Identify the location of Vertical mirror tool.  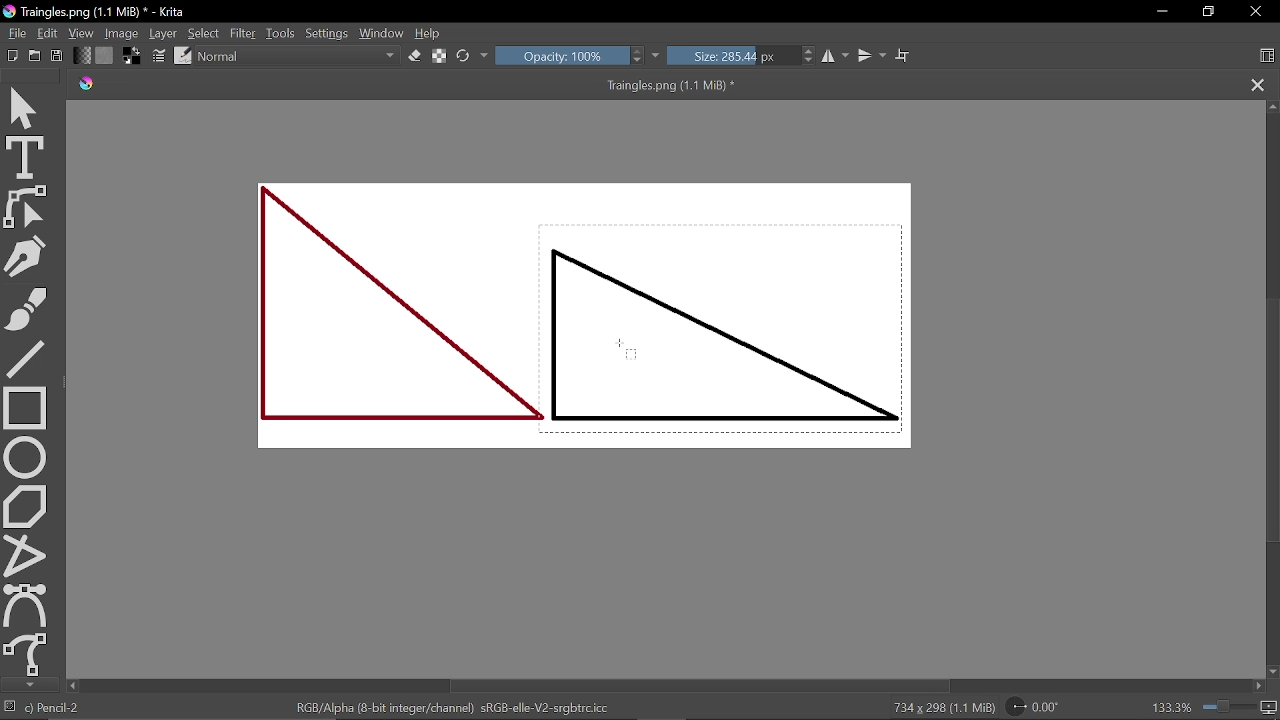
(872, 56).